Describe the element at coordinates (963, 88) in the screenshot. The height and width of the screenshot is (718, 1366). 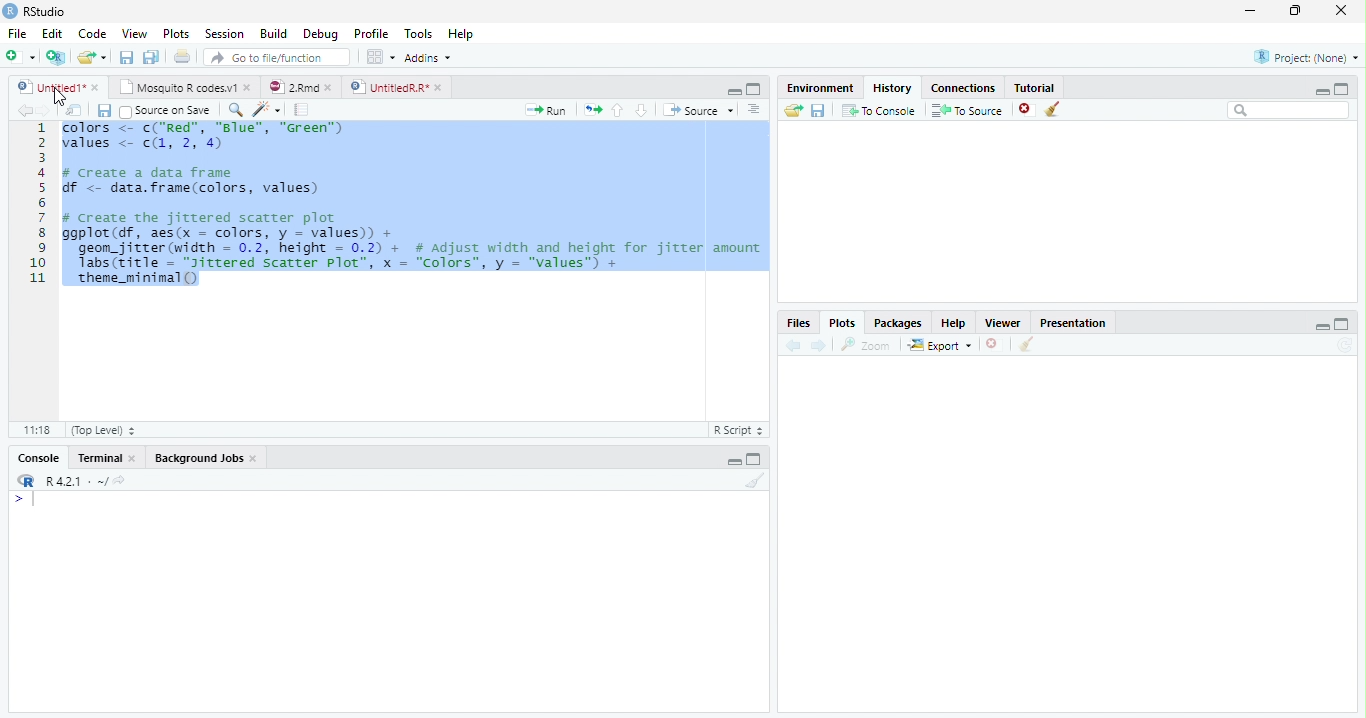
I see `Connections` at that location.